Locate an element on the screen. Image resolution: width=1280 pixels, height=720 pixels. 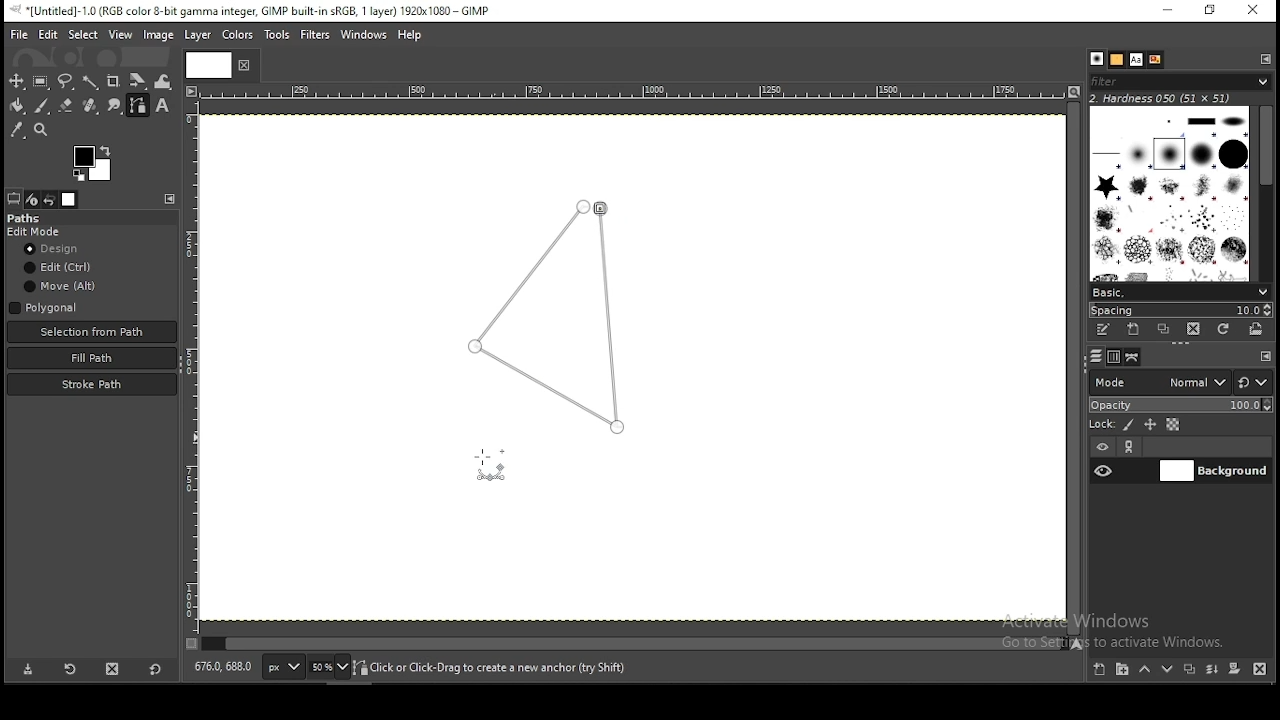
rectangle selection tool is located at coordinates (38, 80).